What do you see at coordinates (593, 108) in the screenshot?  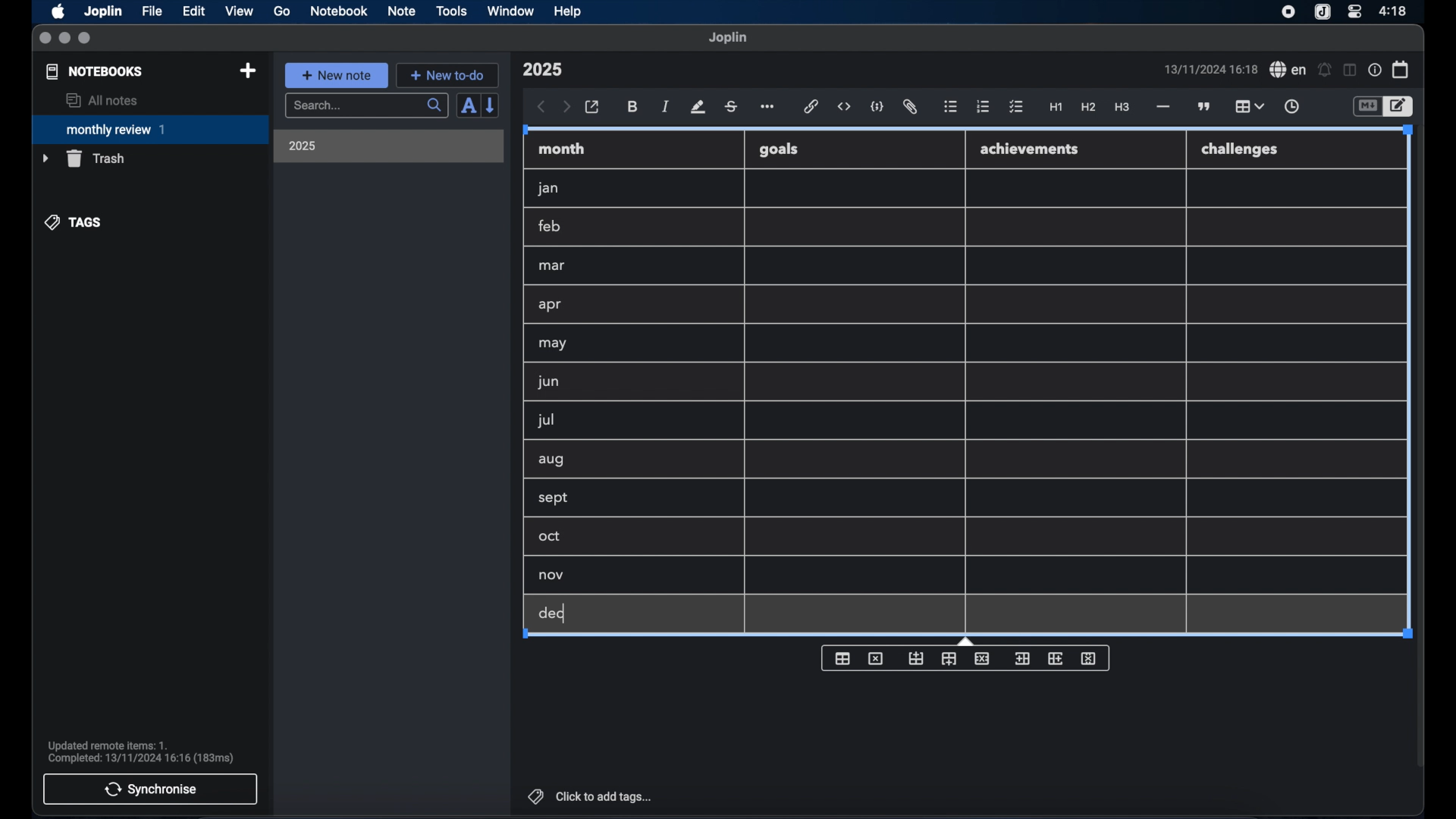 I see `open in external editor` at bounding box center [593, 108].